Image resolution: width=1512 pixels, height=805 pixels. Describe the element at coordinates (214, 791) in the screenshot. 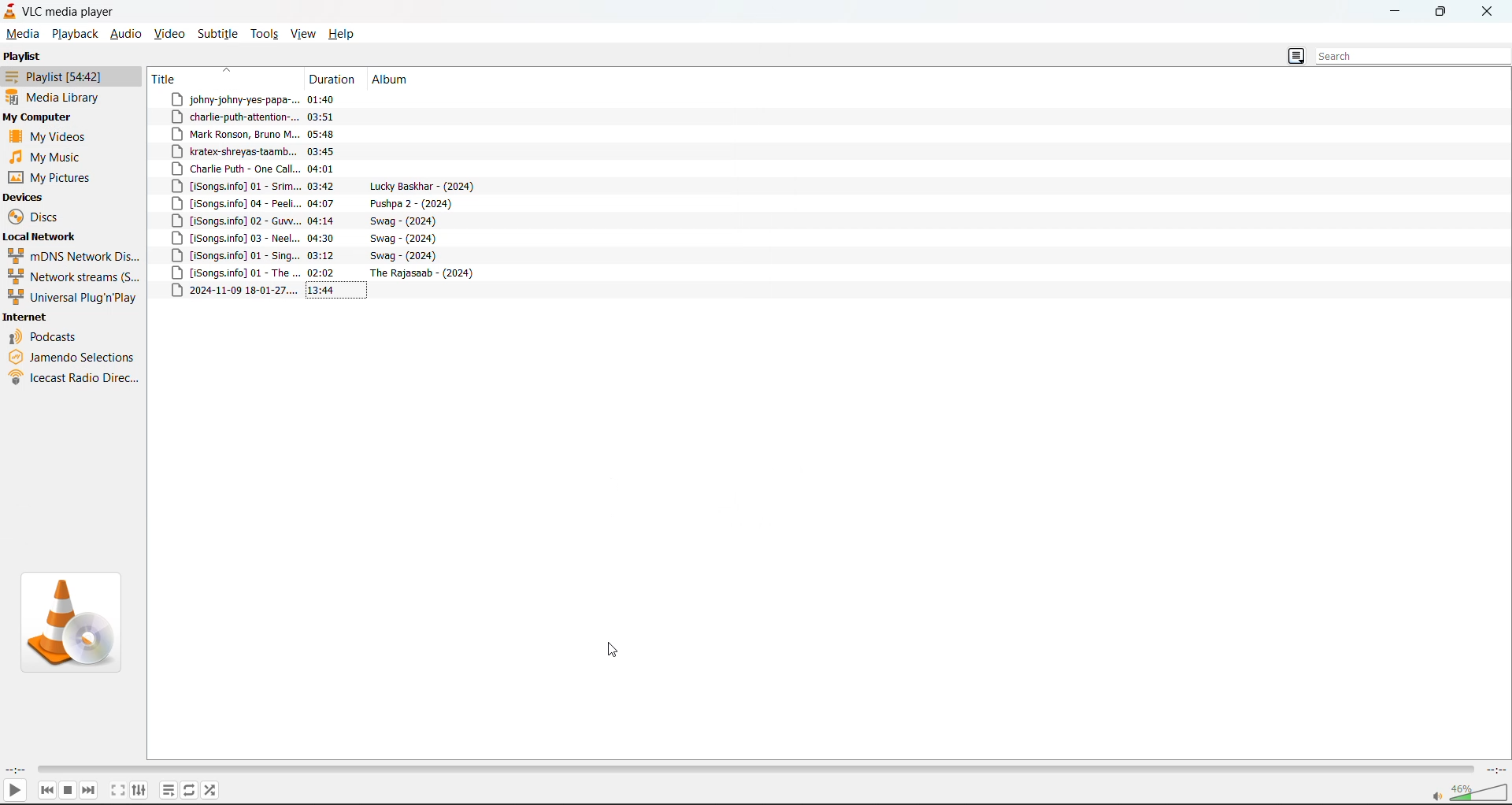

I see `random` at that location.